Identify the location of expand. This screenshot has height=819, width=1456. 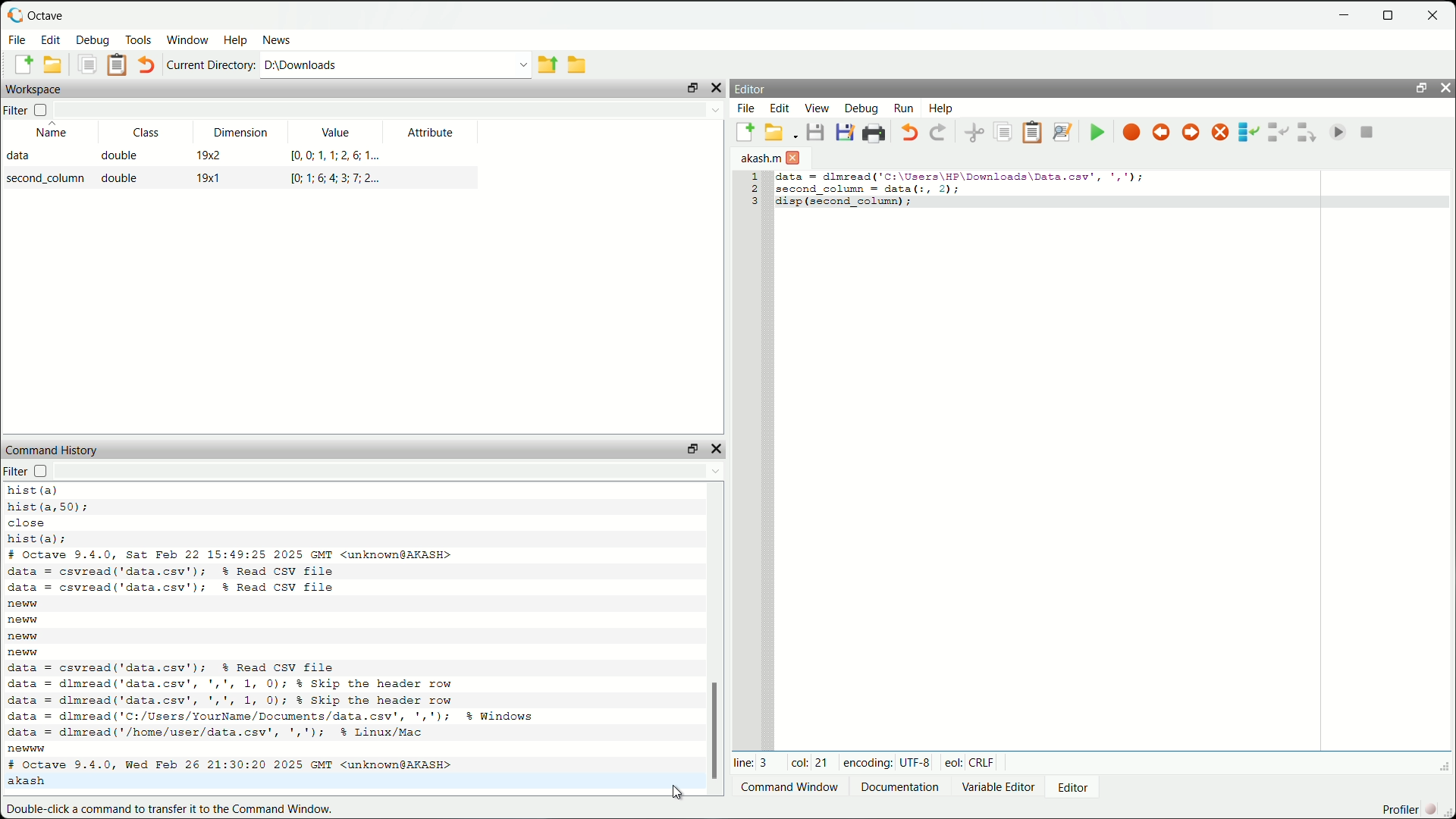
(1442, 767).